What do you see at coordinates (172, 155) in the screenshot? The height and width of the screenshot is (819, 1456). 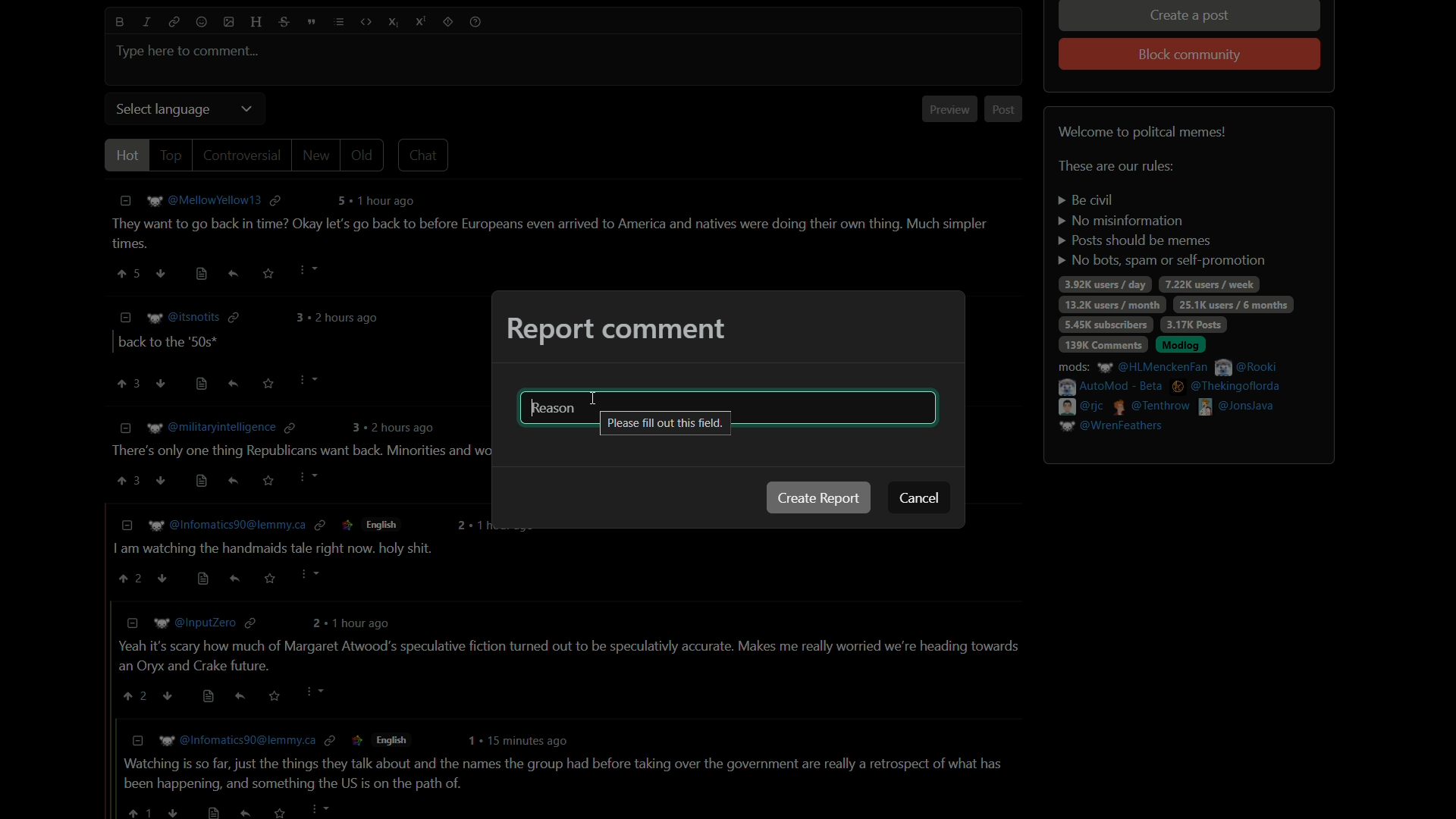 I see `top` at bounding box center [172, 155].